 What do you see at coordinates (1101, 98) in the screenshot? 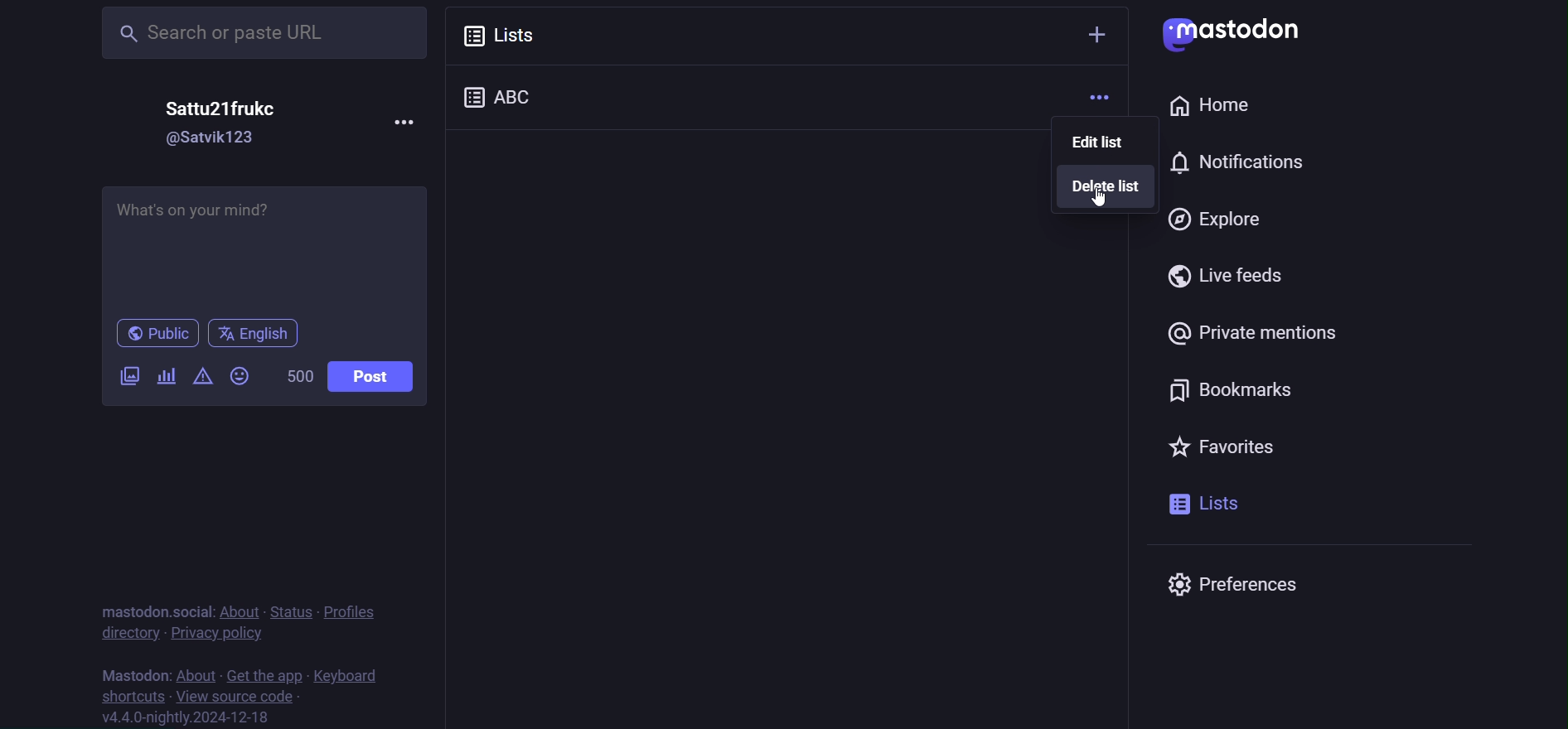
I see `more` at bounding box center [1101, 98].